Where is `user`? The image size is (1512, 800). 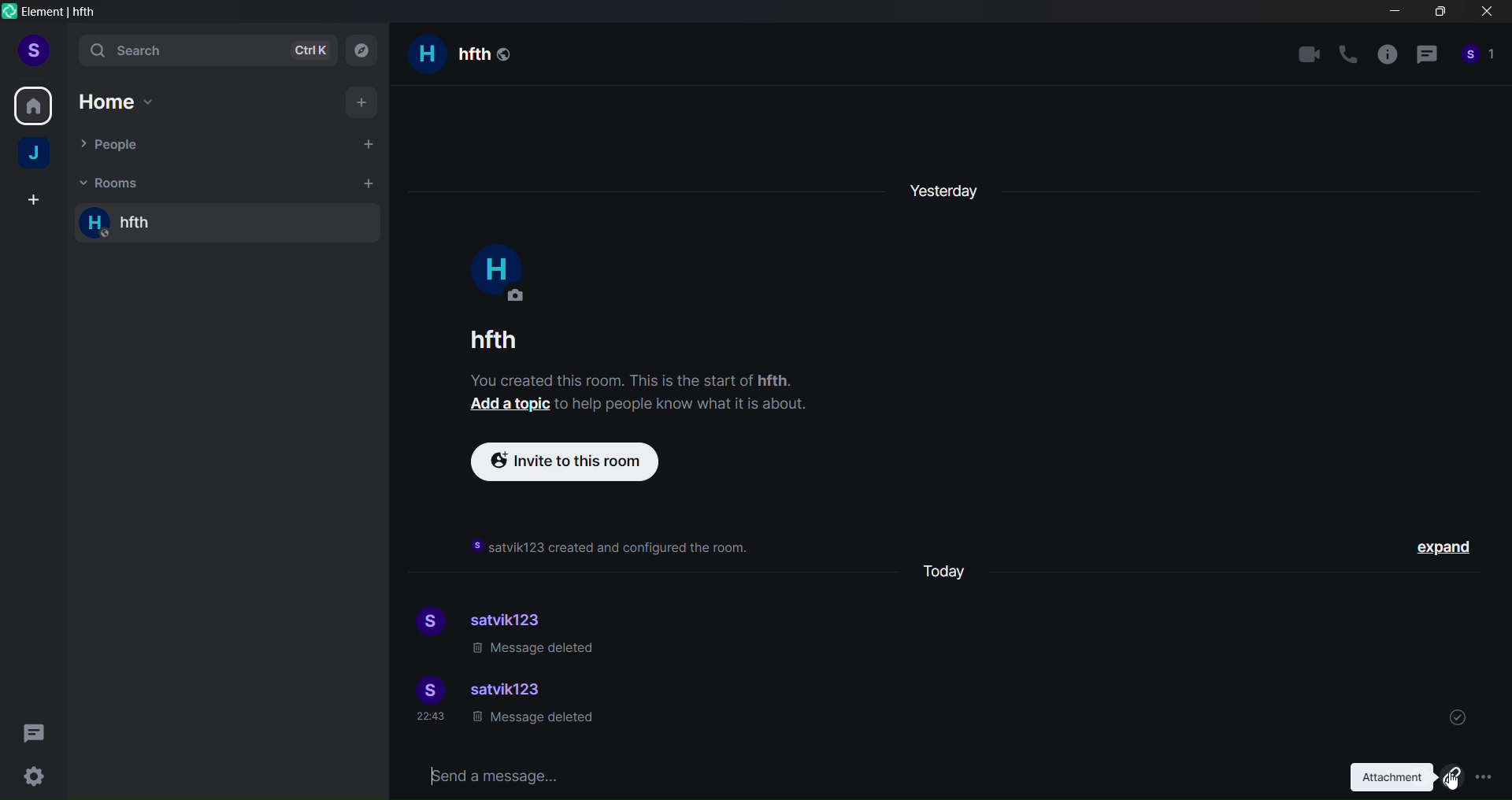 user is located at coordinates (33, 49).